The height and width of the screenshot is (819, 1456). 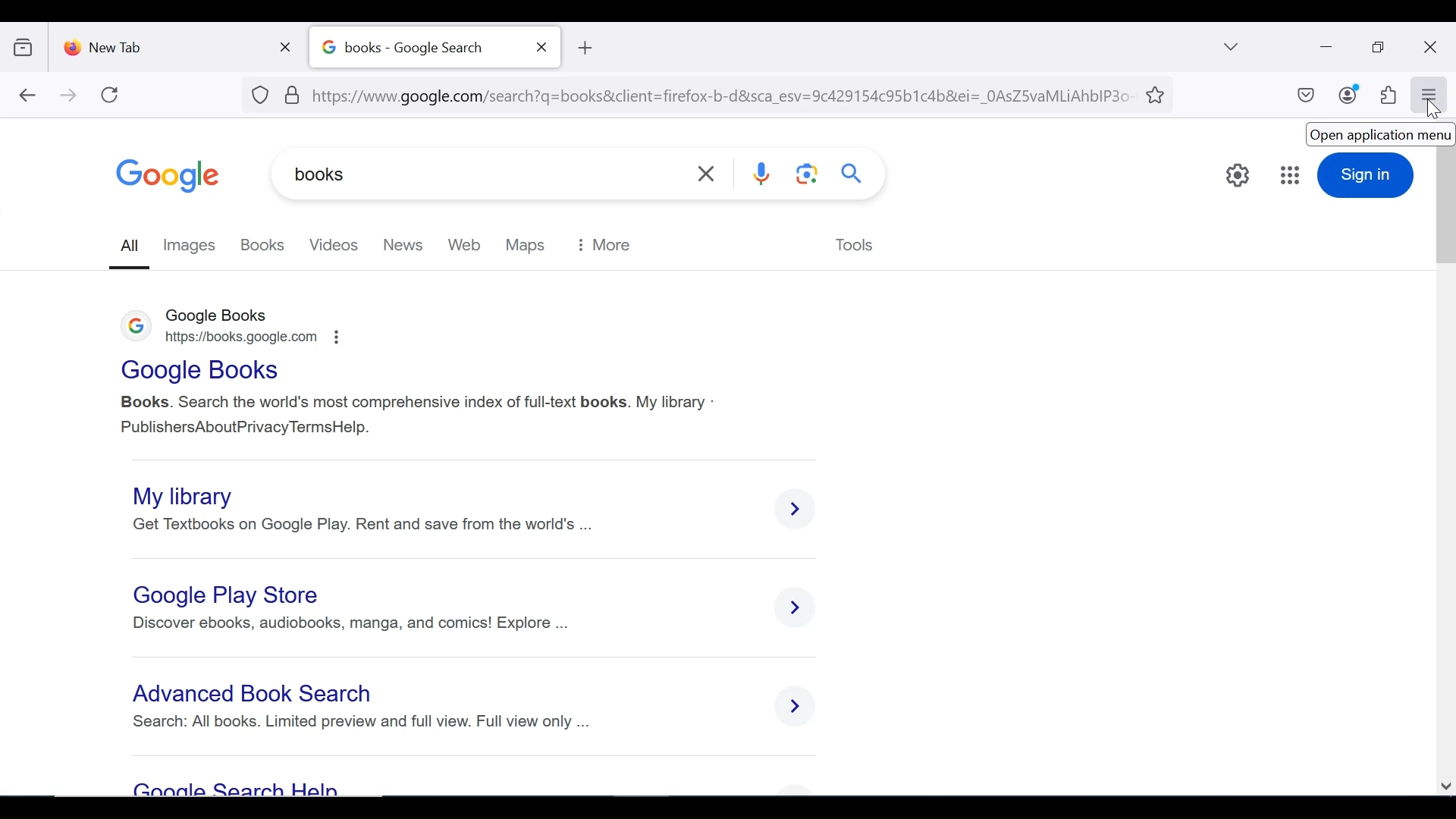 I want to click on new tab, so click(x=163, y=44).